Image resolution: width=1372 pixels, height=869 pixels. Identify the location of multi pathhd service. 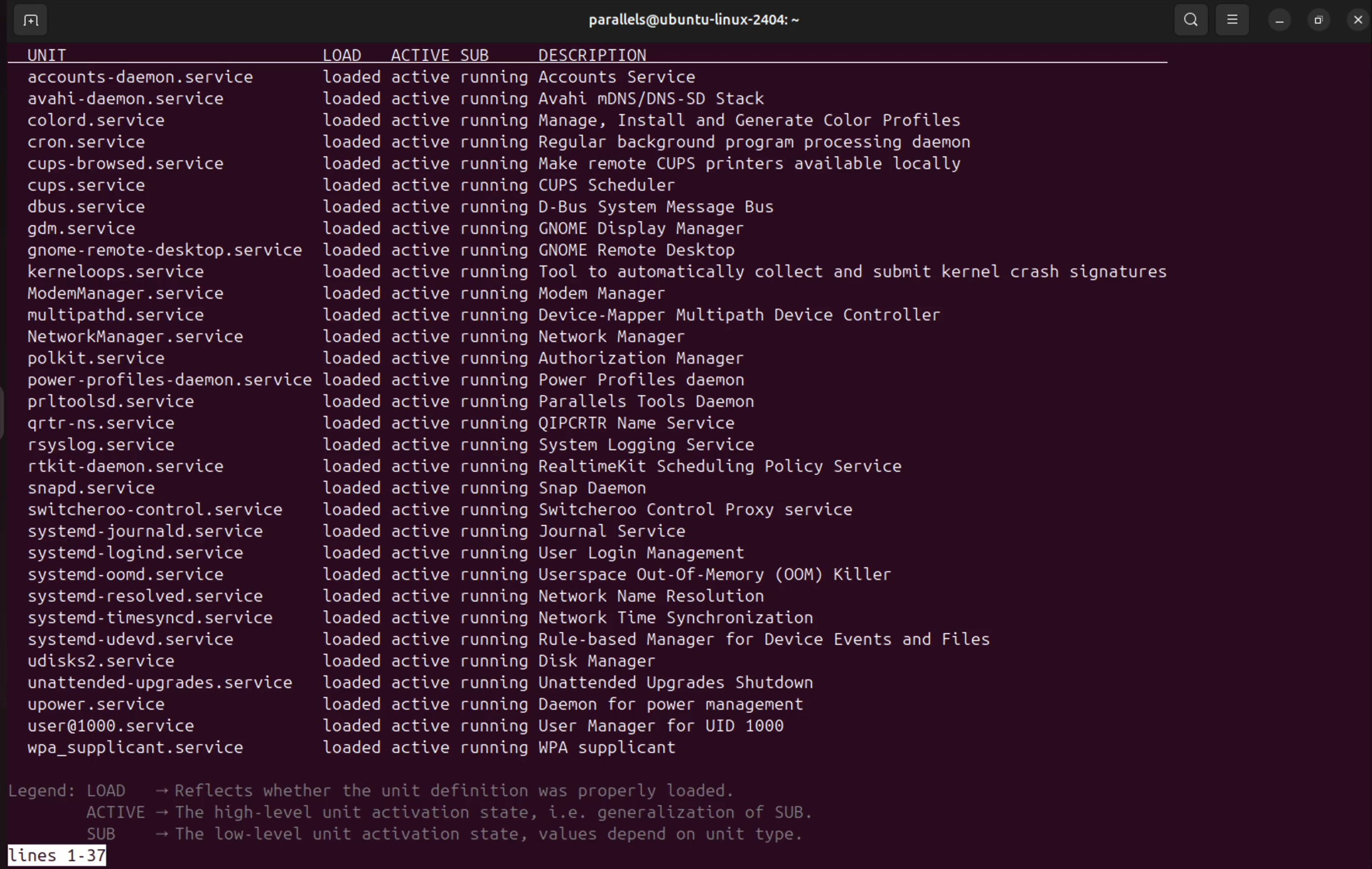
(138, 316).